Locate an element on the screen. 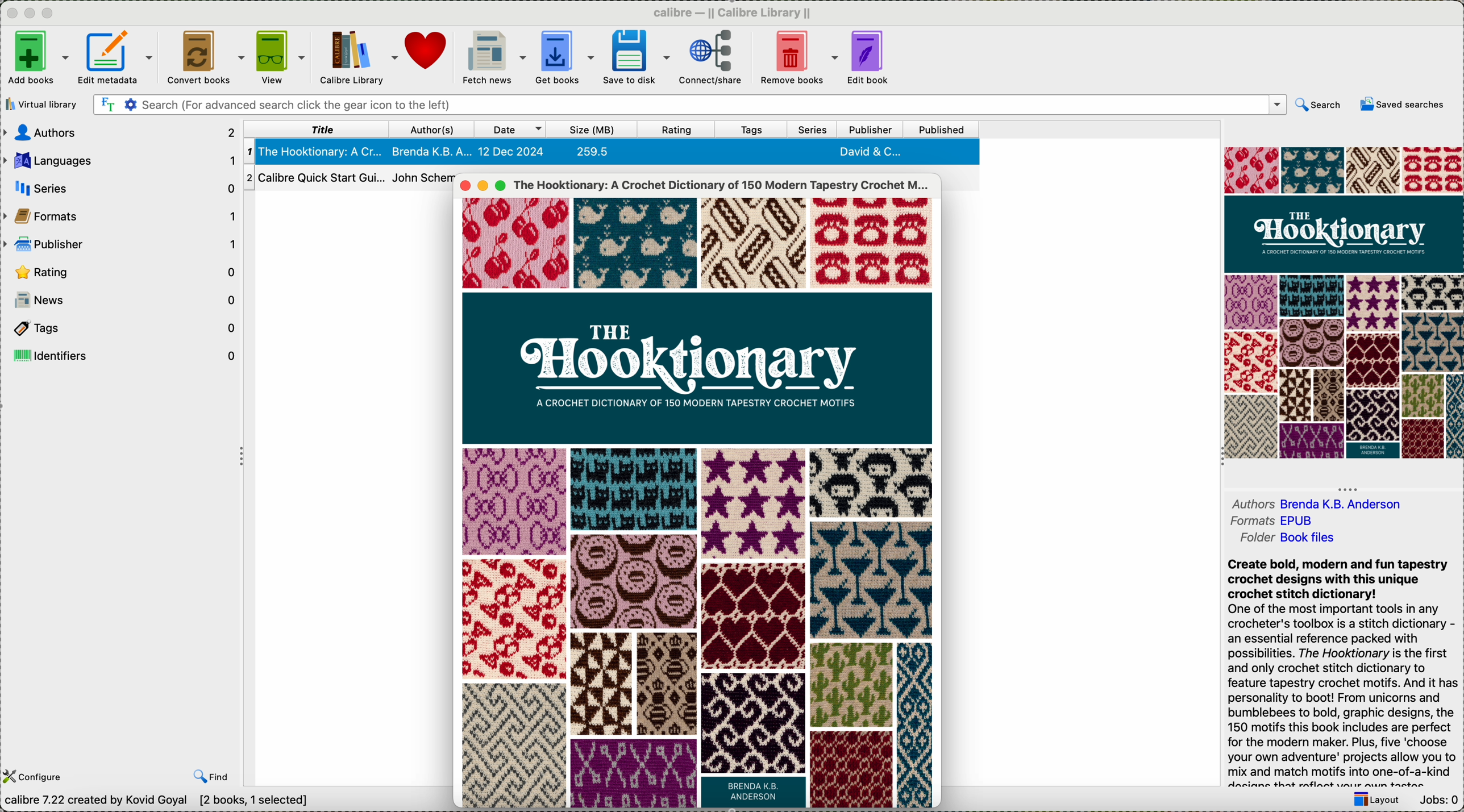 The height and width of the screenshot is (812, 1464). find is located at coordinates (211, 774).